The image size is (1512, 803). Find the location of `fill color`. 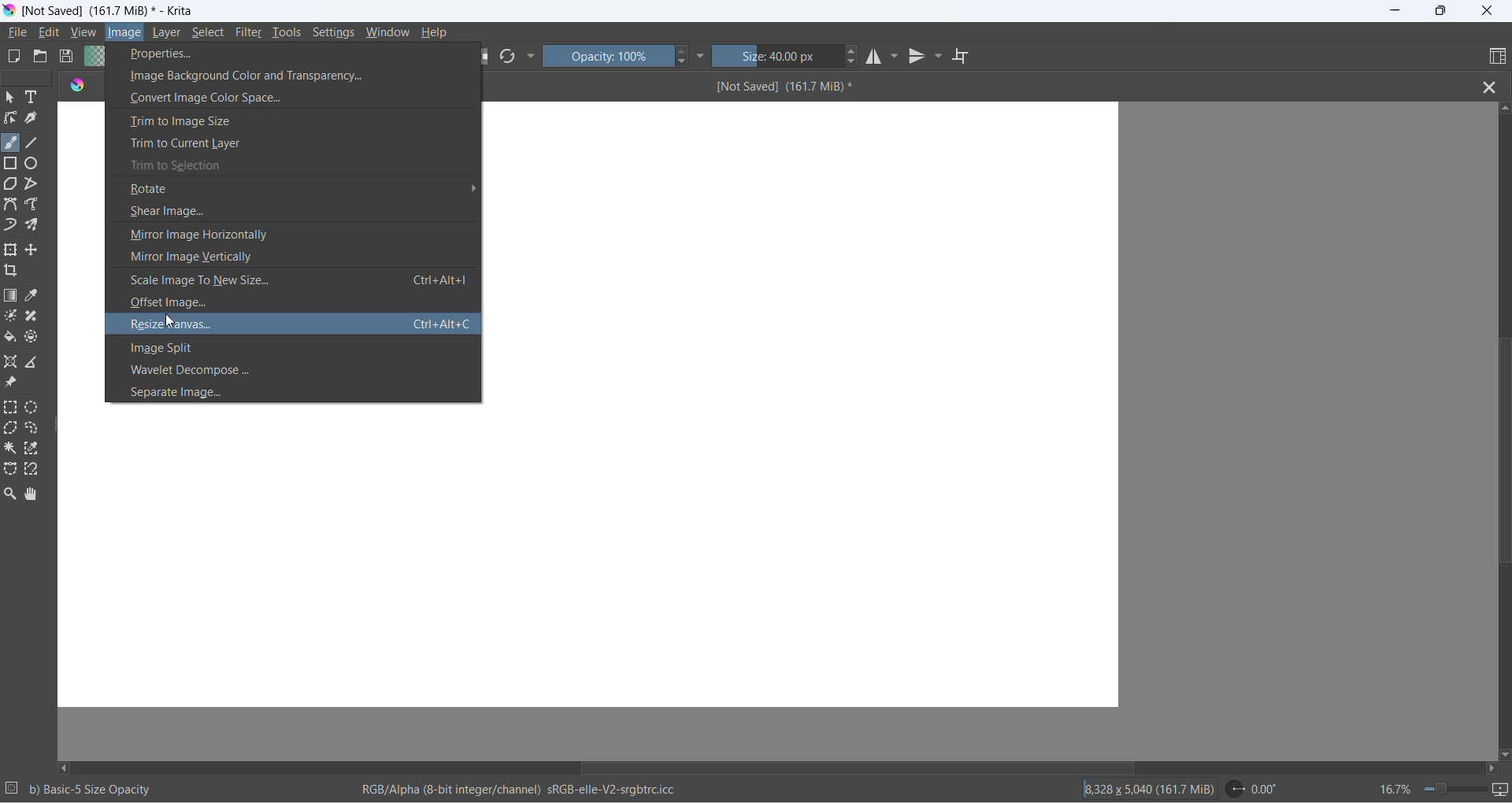

fill color is located at coordinates (11, 339).